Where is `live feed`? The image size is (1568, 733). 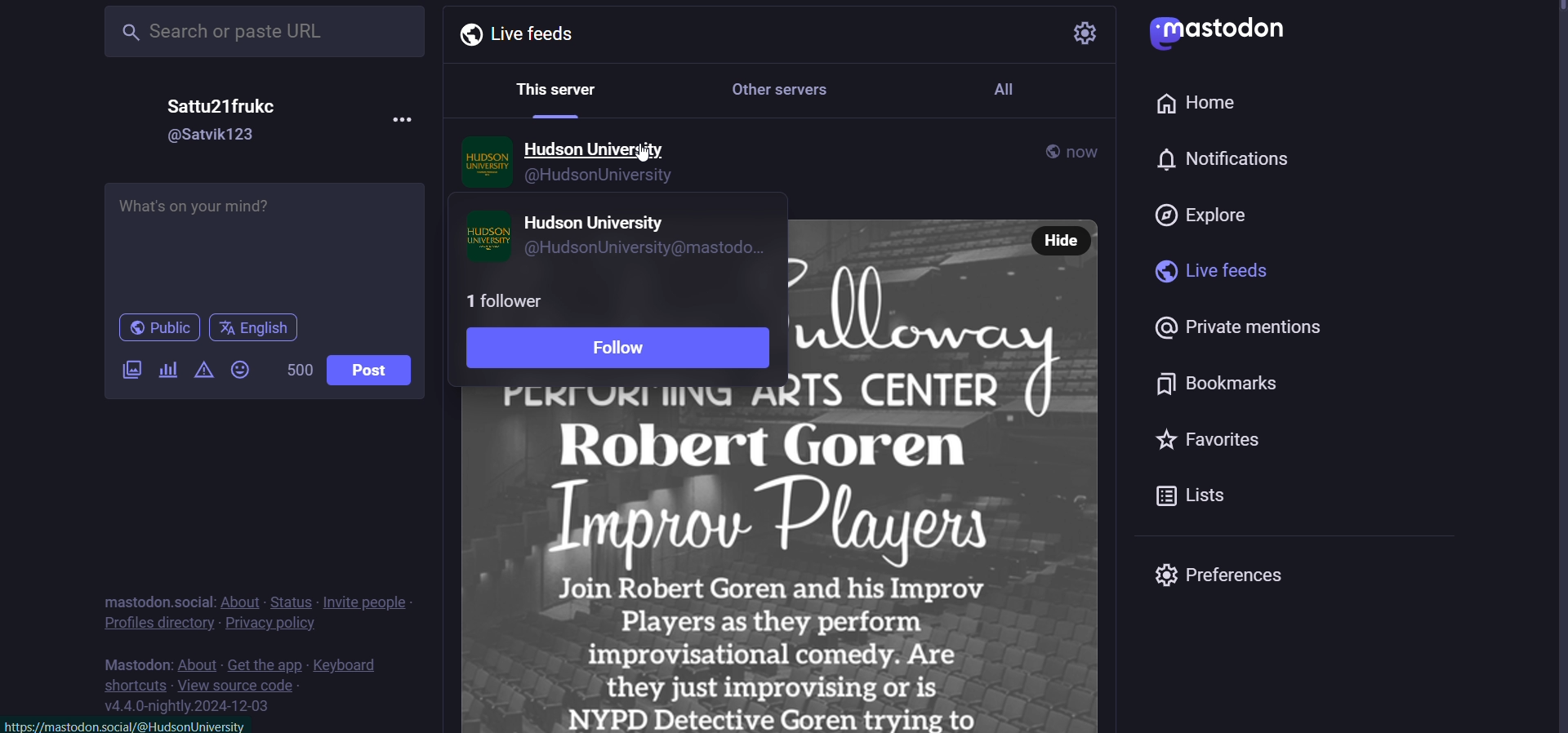
live feed is located at coordinates (1213, 272).